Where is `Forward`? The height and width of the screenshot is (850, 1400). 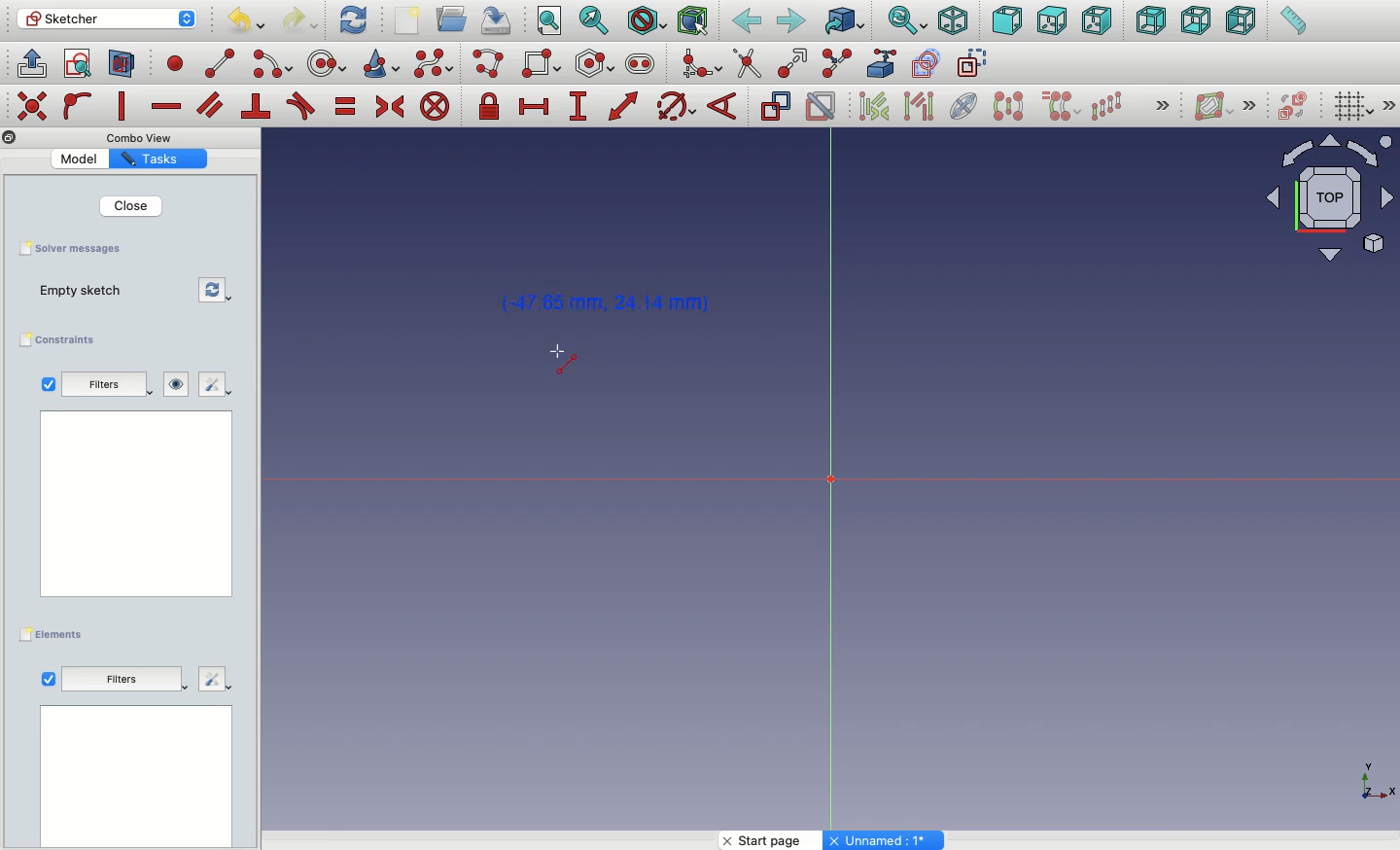
Forward is located at coordinates (791, 22).